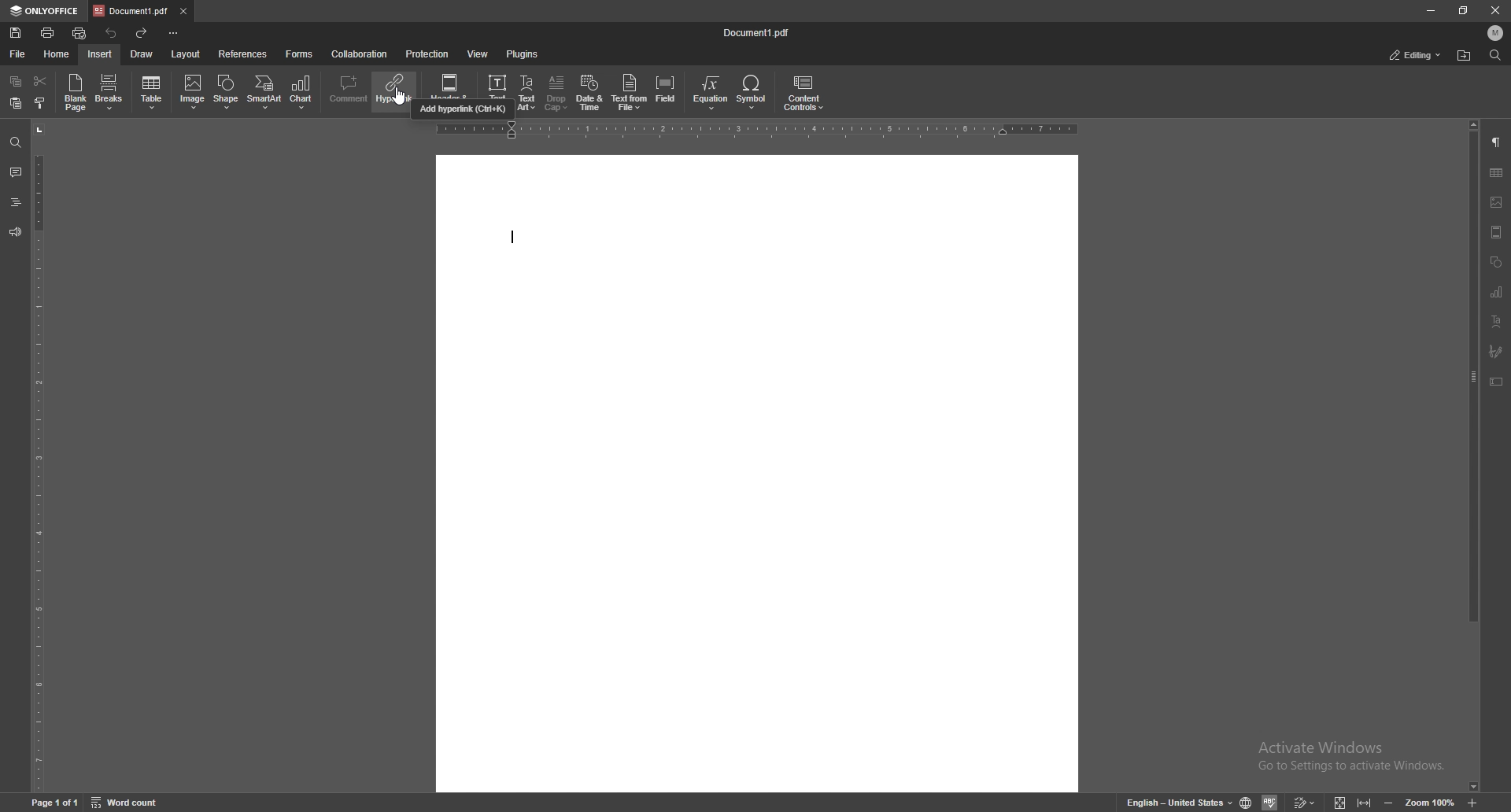  What do you see at coordinates (1364, 802) in the screenshot?
I see `fit to width` at bounding box center [1364, 802].